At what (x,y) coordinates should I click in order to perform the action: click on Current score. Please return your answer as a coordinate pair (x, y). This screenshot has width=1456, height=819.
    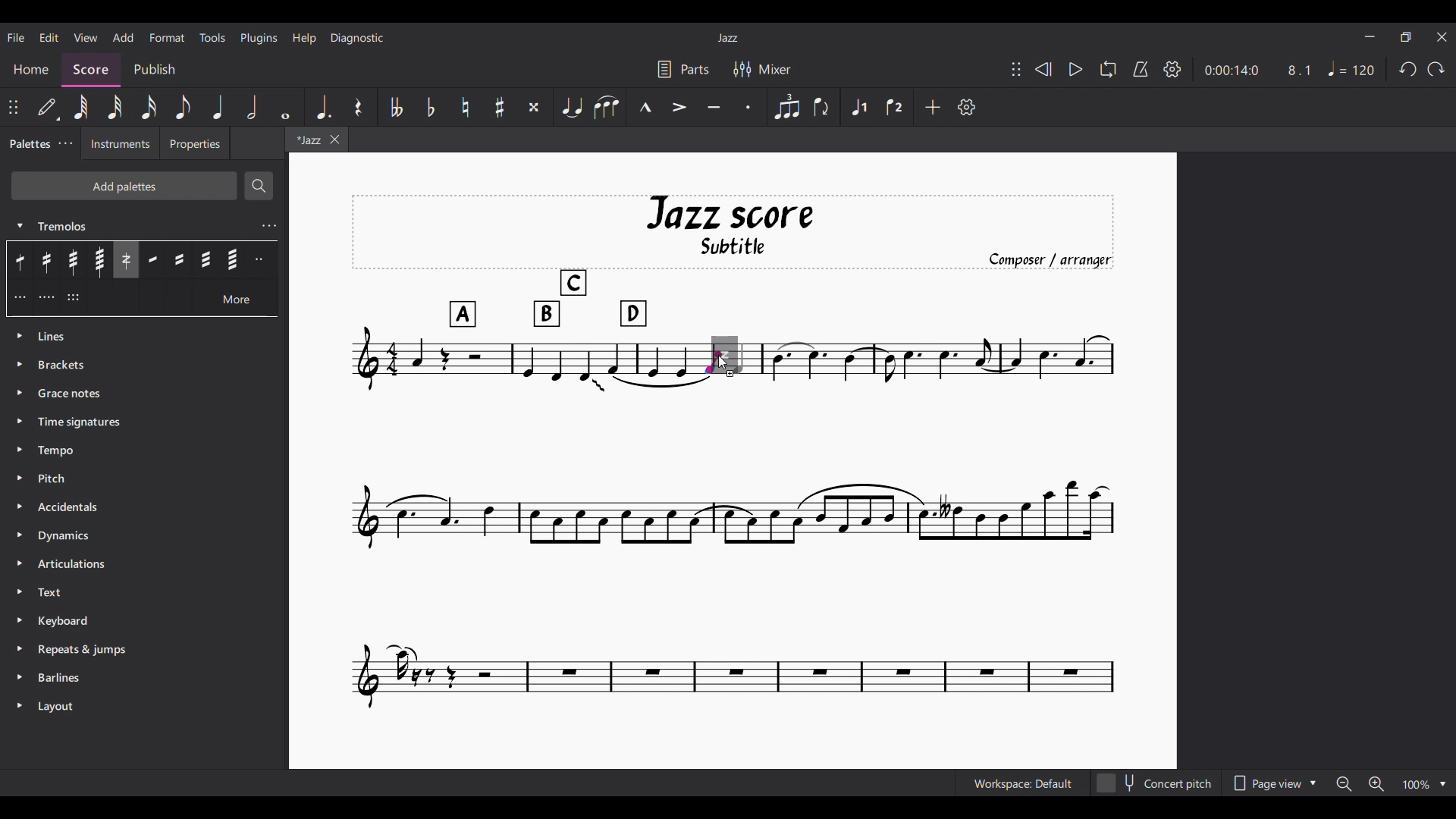
    Looking at the image, I should click on (733, 265).